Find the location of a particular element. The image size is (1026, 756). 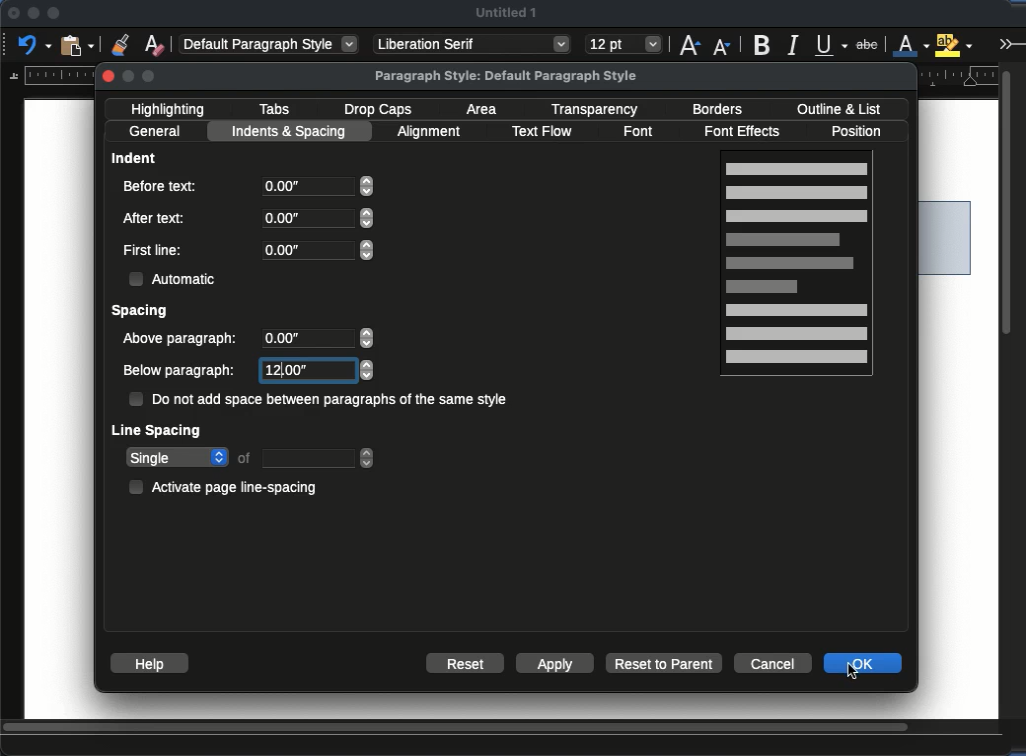

borders is located at coordinates (716, 110).